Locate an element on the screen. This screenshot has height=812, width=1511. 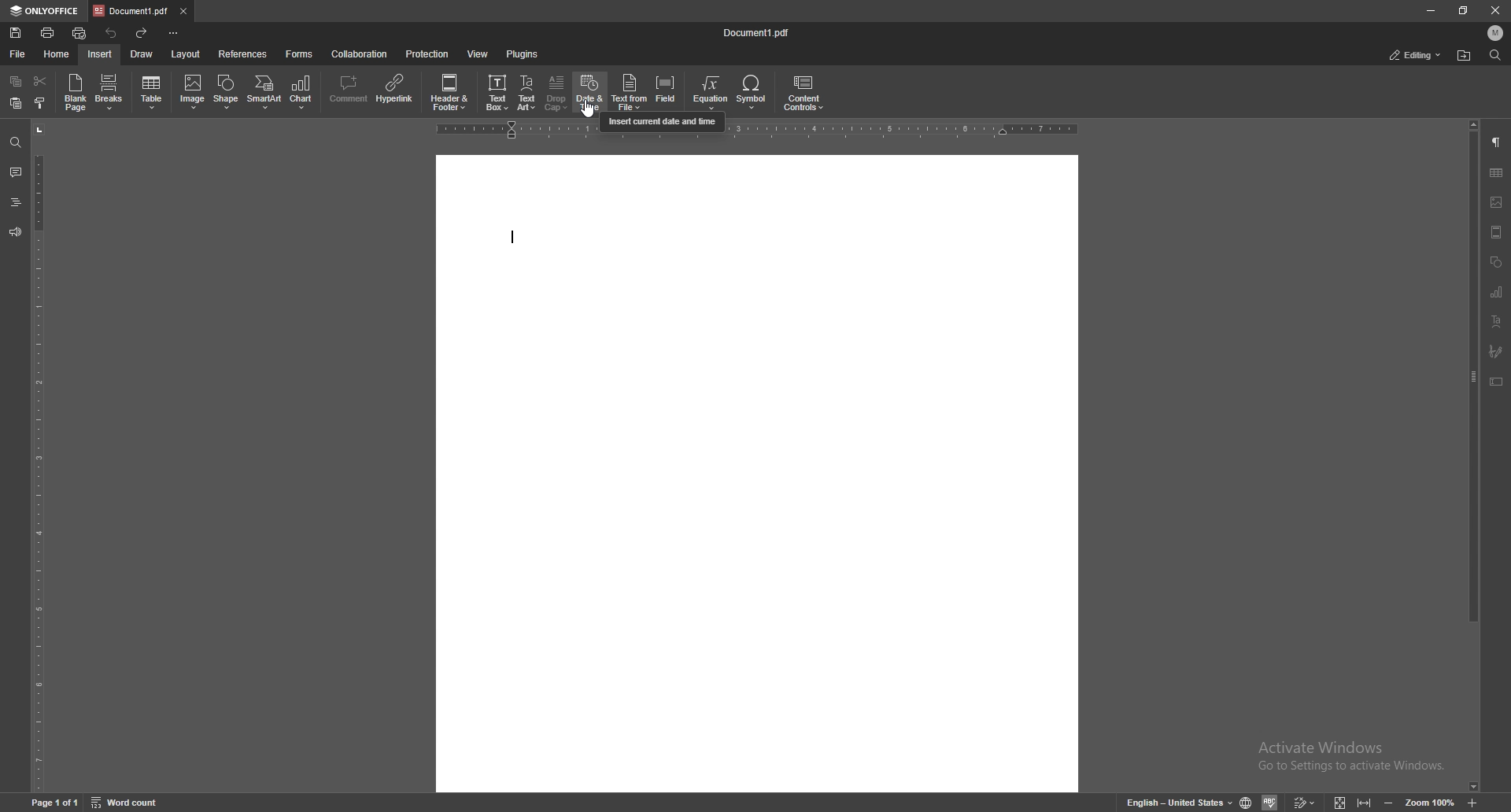
zoom in is located at coordinates (1474, 802).